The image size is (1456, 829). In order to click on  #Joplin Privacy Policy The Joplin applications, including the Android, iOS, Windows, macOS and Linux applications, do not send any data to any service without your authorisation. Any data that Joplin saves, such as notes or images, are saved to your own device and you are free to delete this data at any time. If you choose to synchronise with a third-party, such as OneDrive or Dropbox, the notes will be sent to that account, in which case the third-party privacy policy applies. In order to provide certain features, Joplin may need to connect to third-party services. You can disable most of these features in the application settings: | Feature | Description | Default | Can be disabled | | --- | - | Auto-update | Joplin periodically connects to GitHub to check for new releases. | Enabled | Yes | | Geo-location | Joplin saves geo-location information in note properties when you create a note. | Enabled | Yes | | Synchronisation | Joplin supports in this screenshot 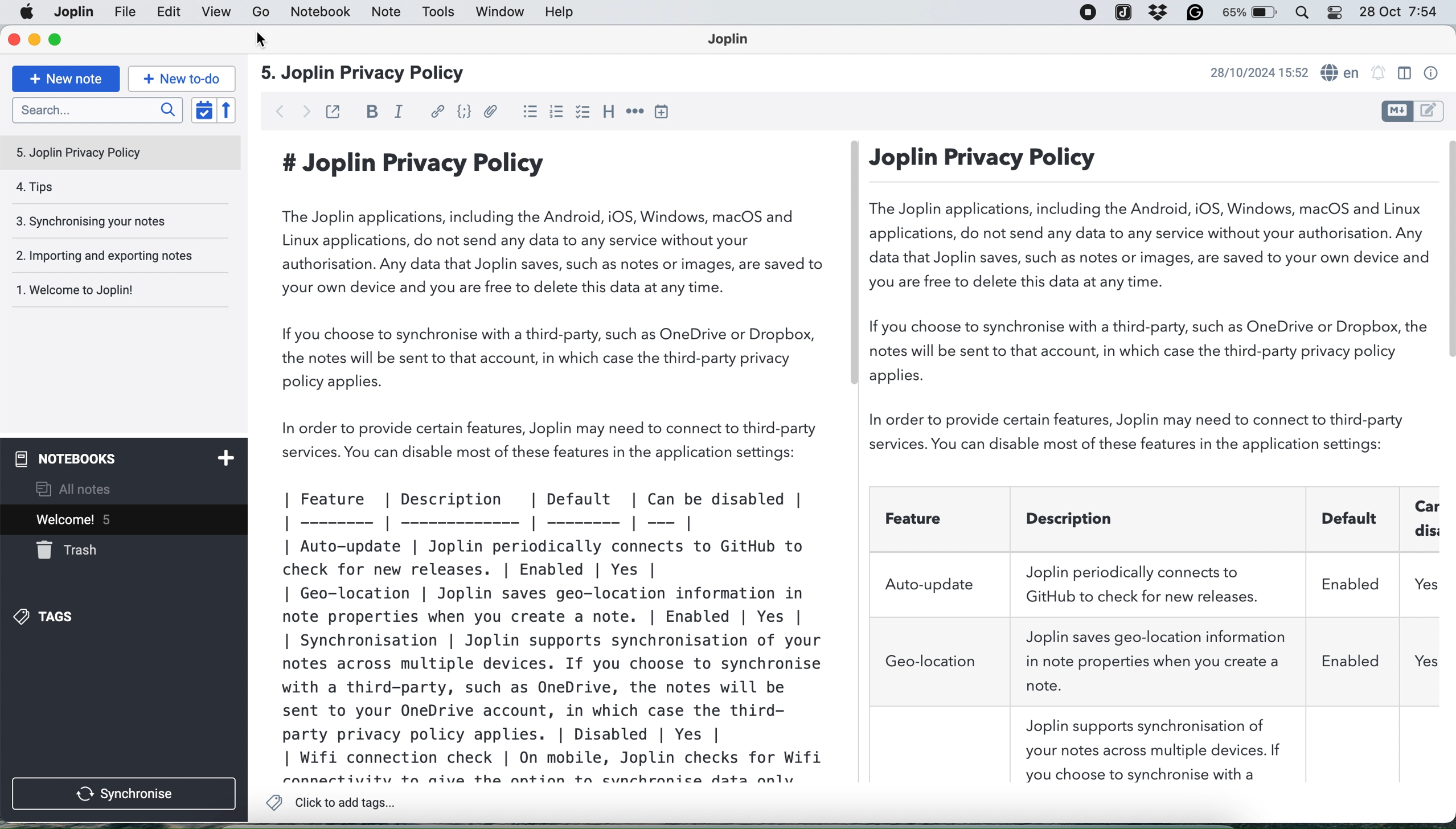, I will do `click(554, 460)`.